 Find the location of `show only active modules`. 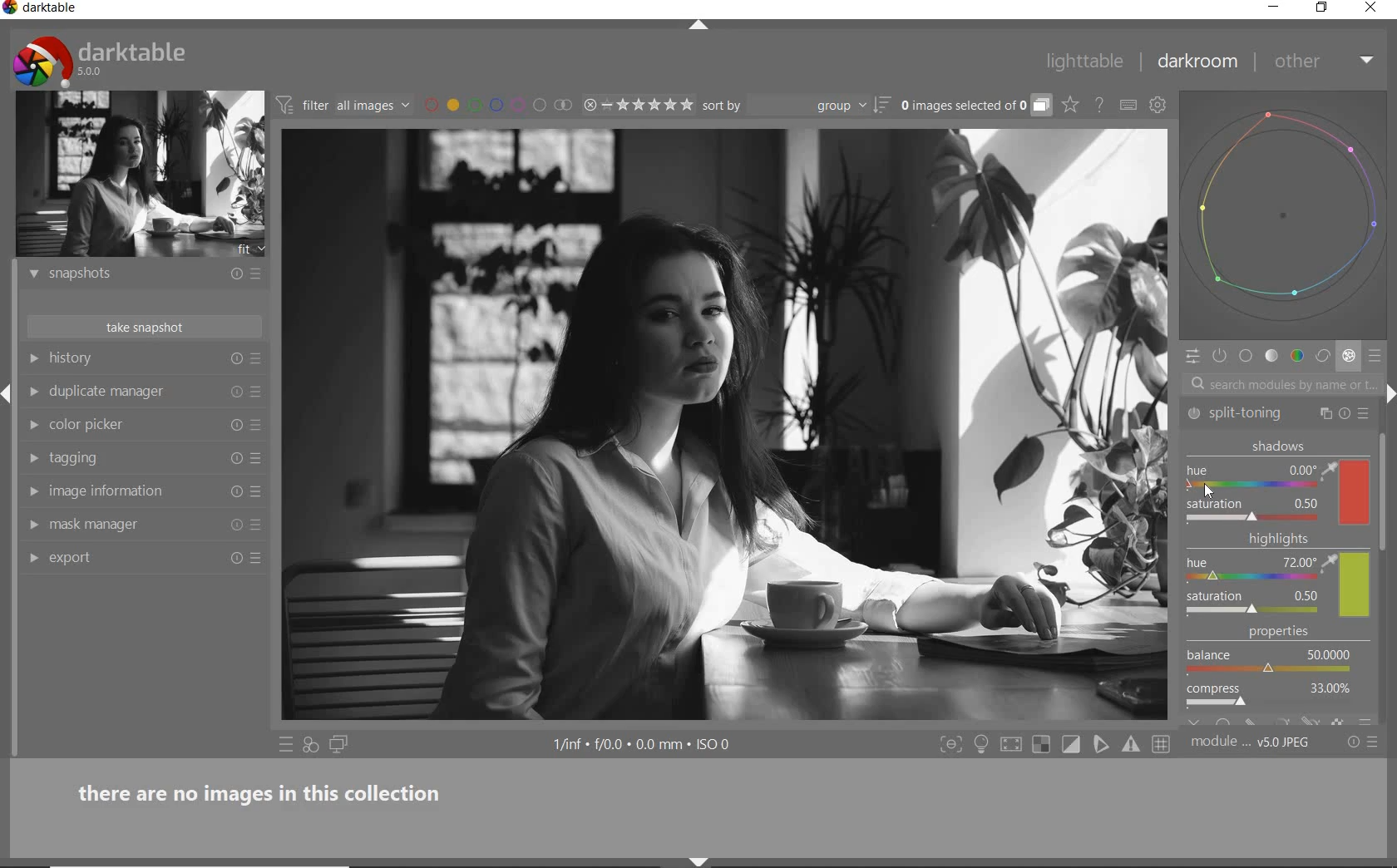

show only active modules is located at coordinates (1221, 357).